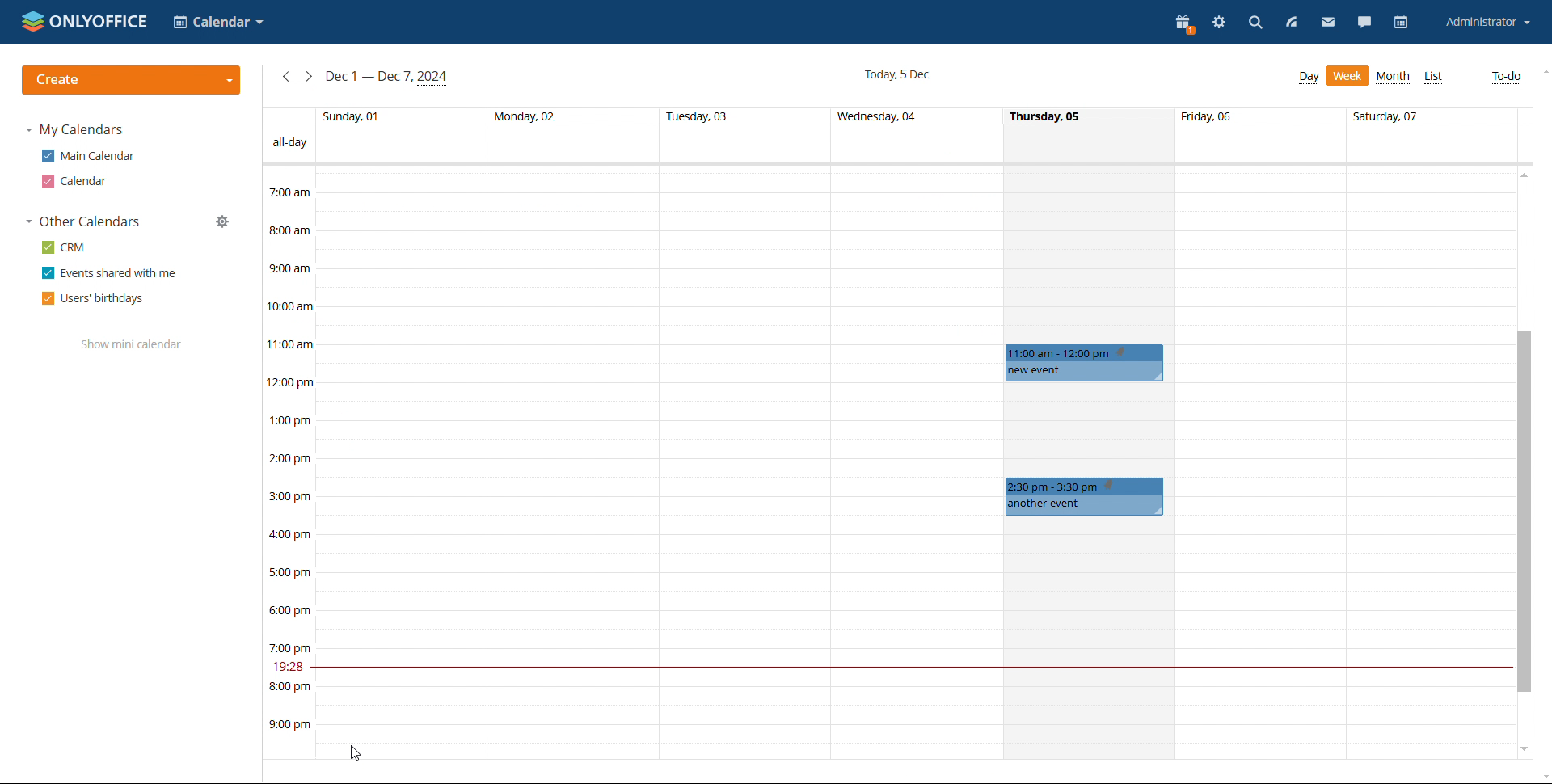 This screenshot has height=784, width=1552. Describe the element at coordinates (1086, 507) in the screenshot. I see `another event` at that location.